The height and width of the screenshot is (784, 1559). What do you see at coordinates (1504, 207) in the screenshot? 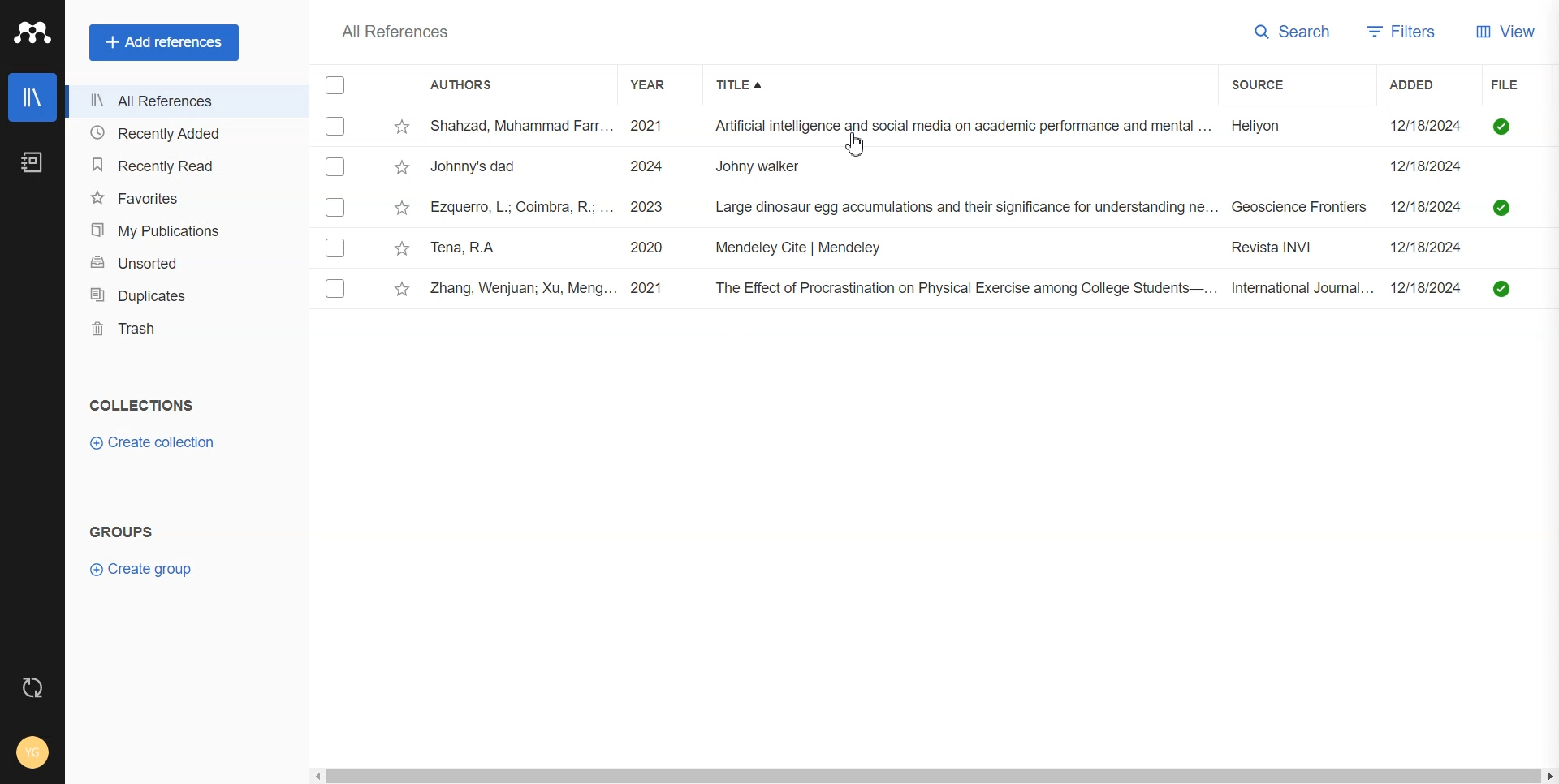
I see `uploaded` at bounding box center [1504, 207].